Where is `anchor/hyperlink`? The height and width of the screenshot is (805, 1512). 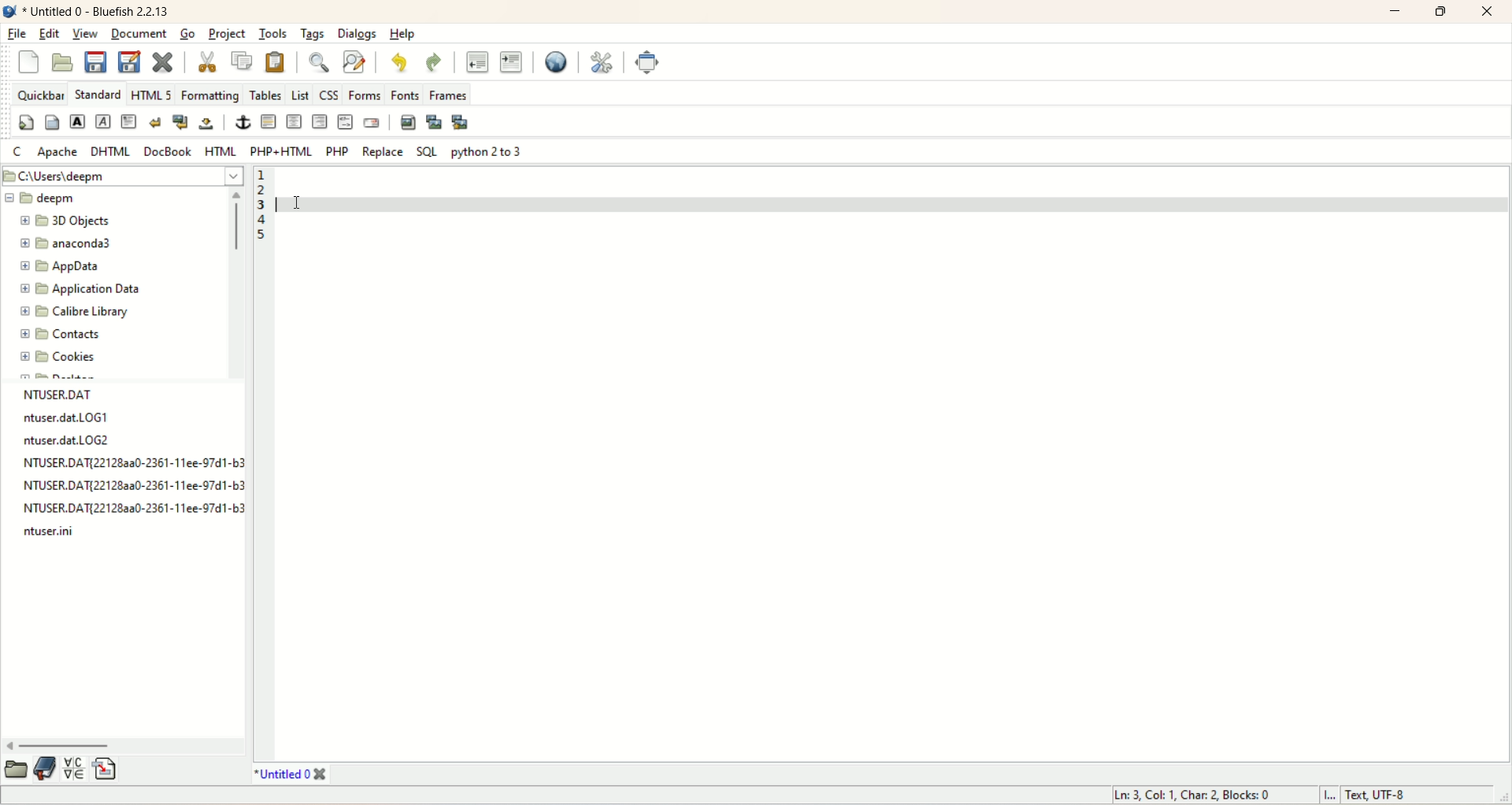
anchor/hyperlink is located at coordinates (243, 123).